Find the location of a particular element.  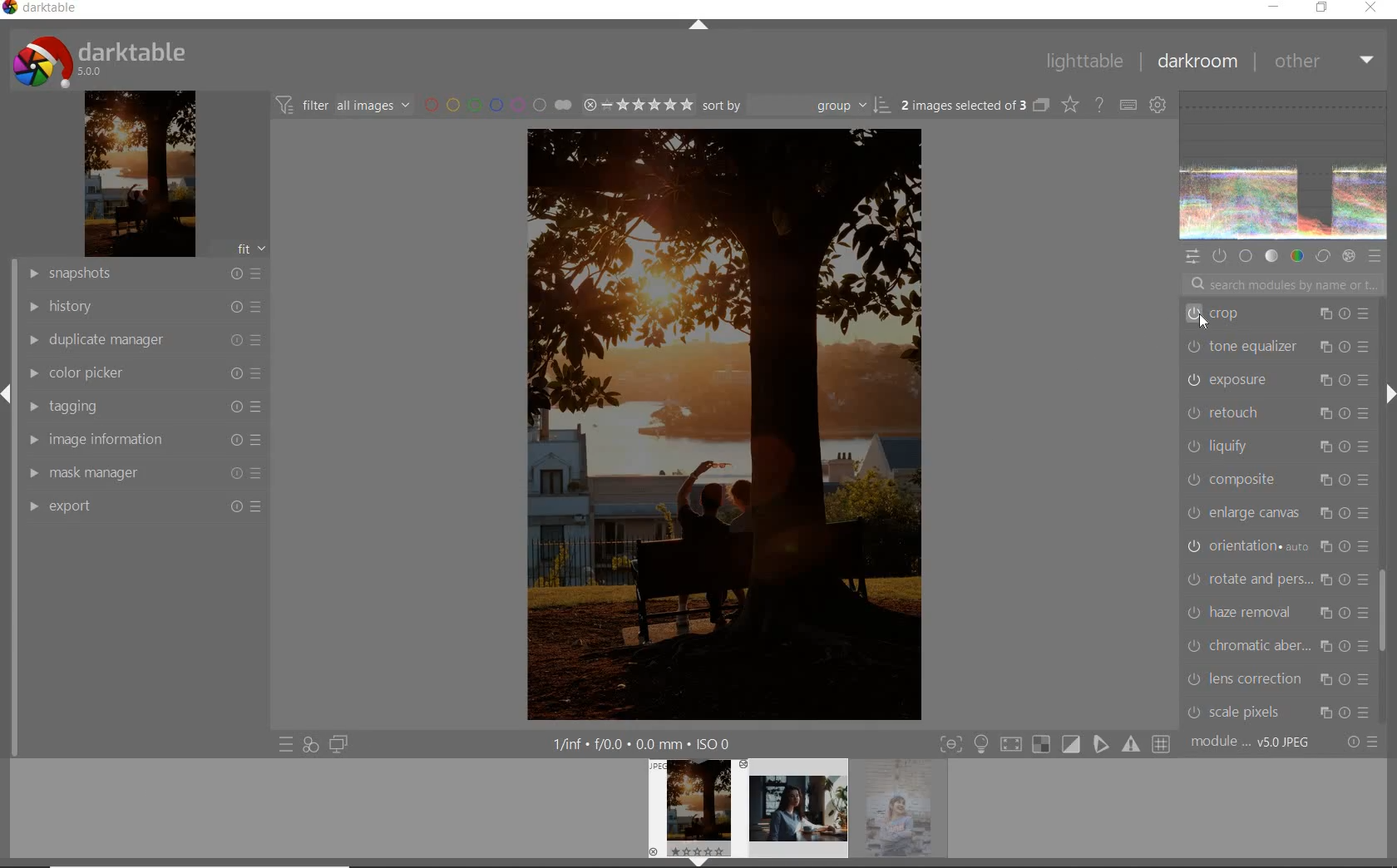

scale pixels is located at coordinates (1279, 714).